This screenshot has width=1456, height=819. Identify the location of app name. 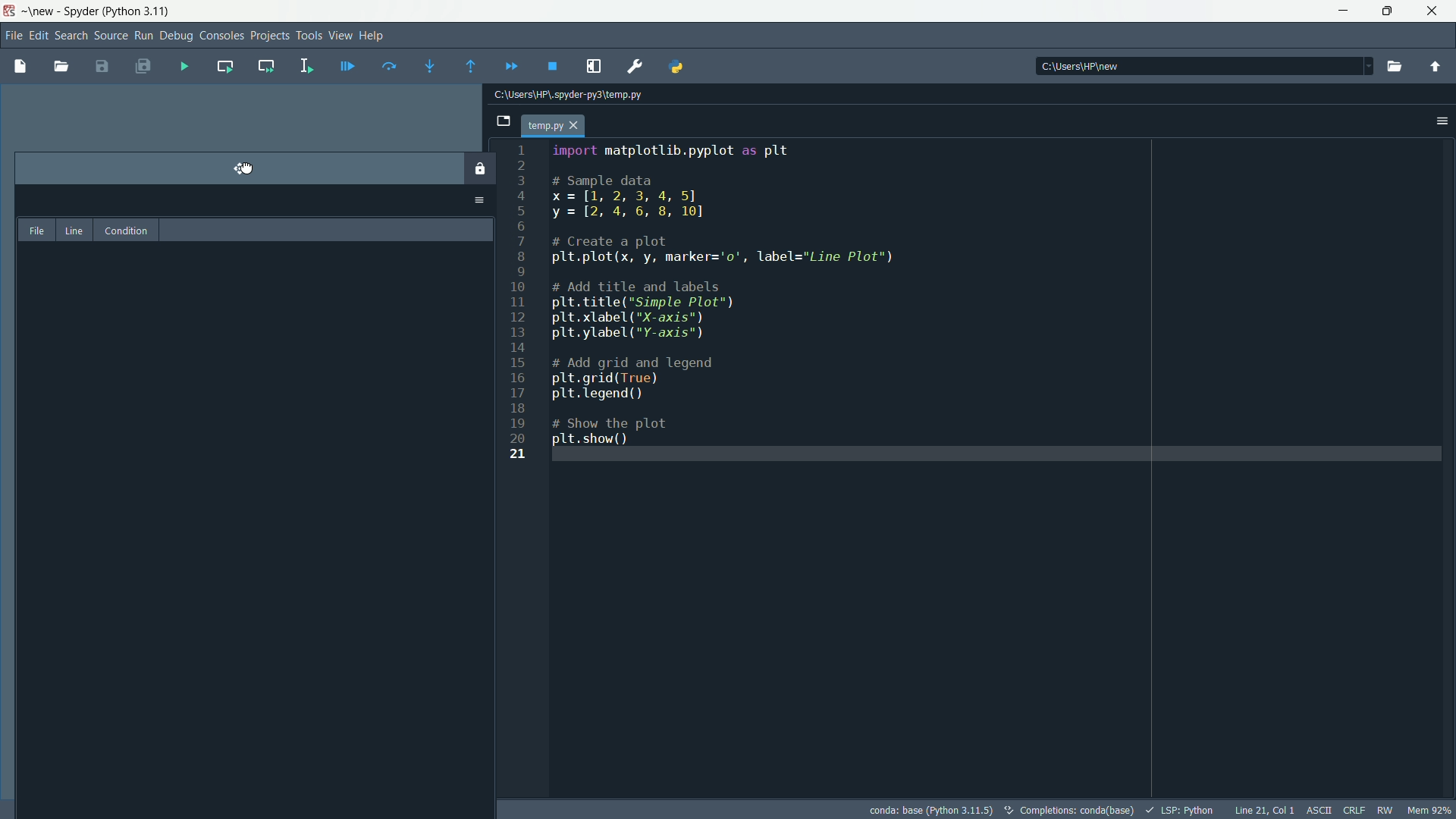
(83, 12).